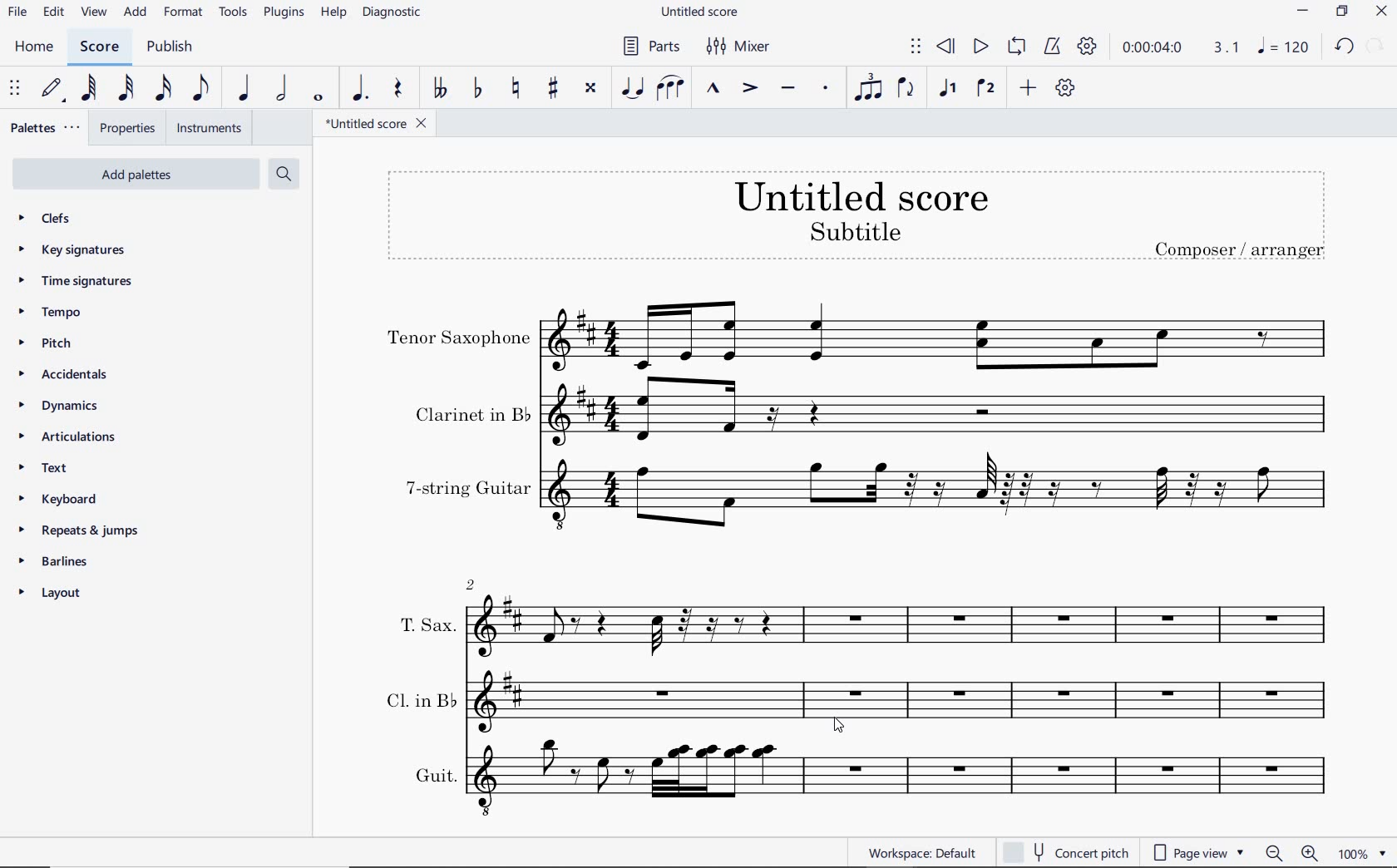 The image size is (1397, 868). I want to click on HOME, so click(34, 47).